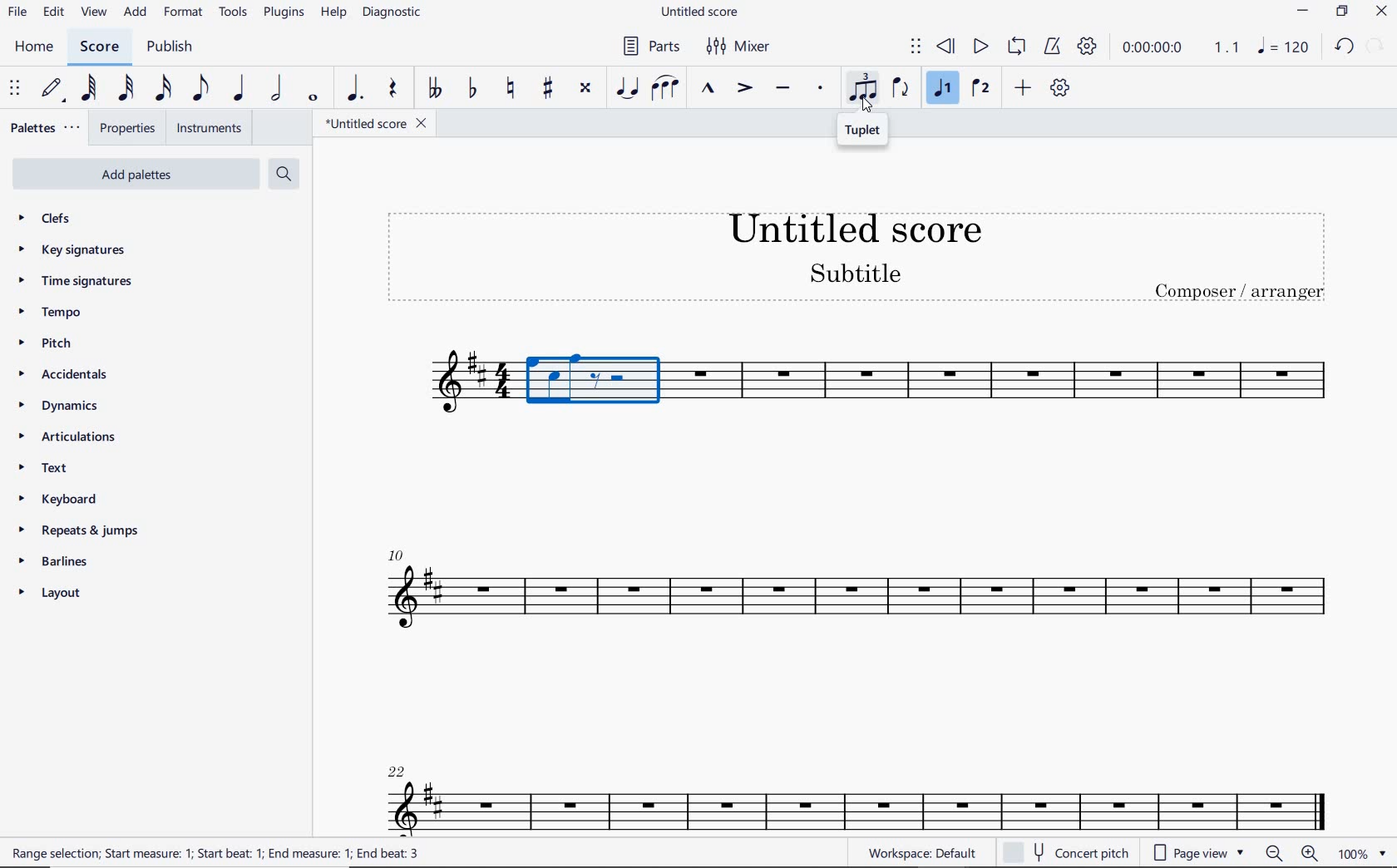 This screenshot has width=1397, height=868. Describe the element at coordinates (233, 12) in the screenshot. I see `TOOLS` at that location.